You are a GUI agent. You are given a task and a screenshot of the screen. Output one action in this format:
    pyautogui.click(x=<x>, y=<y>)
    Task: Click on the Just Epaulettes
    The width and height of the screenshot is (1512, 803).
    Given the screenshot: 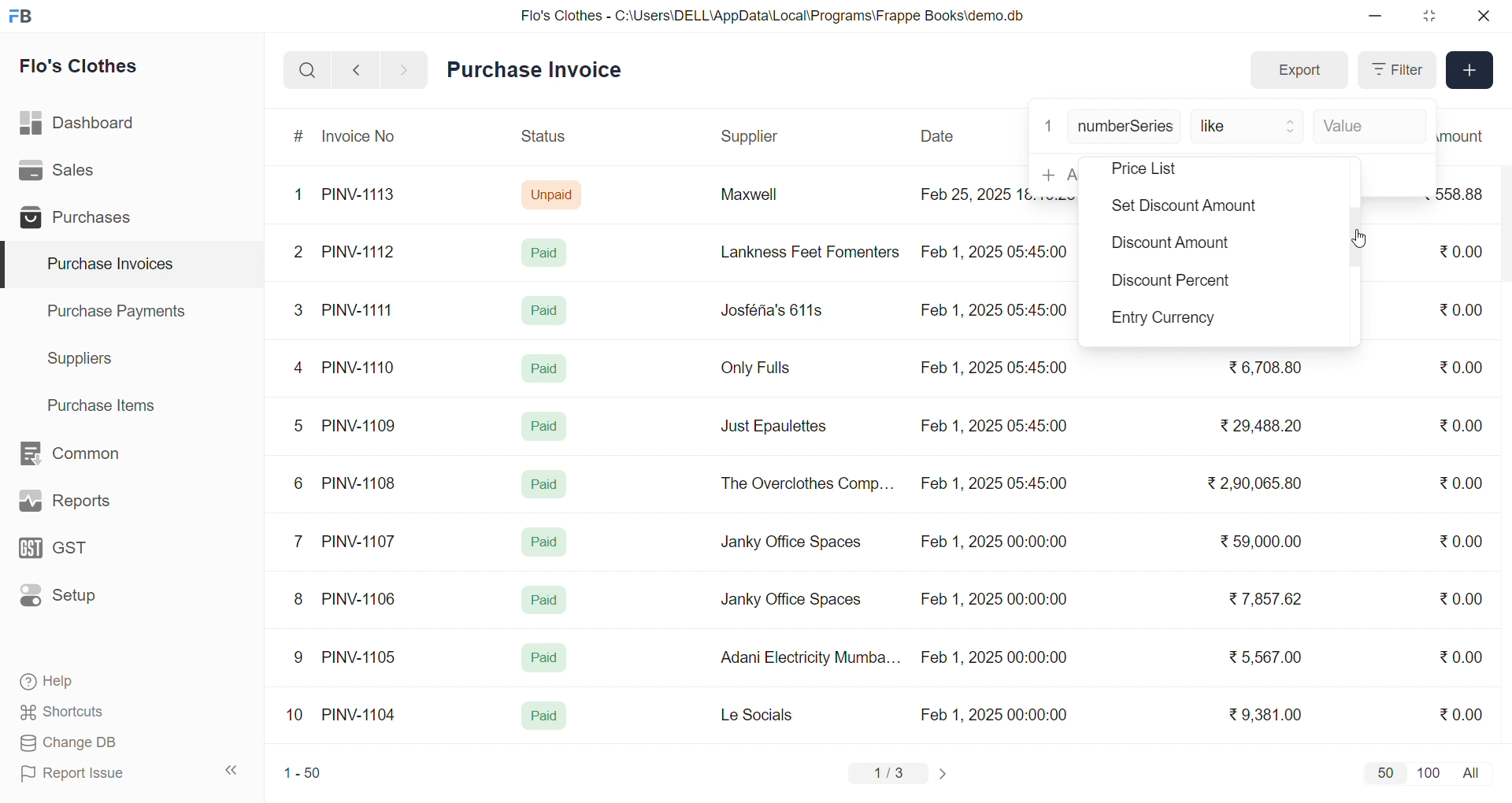 What is the action you would take?
    pyautogui.click(x=780, y=427)
    